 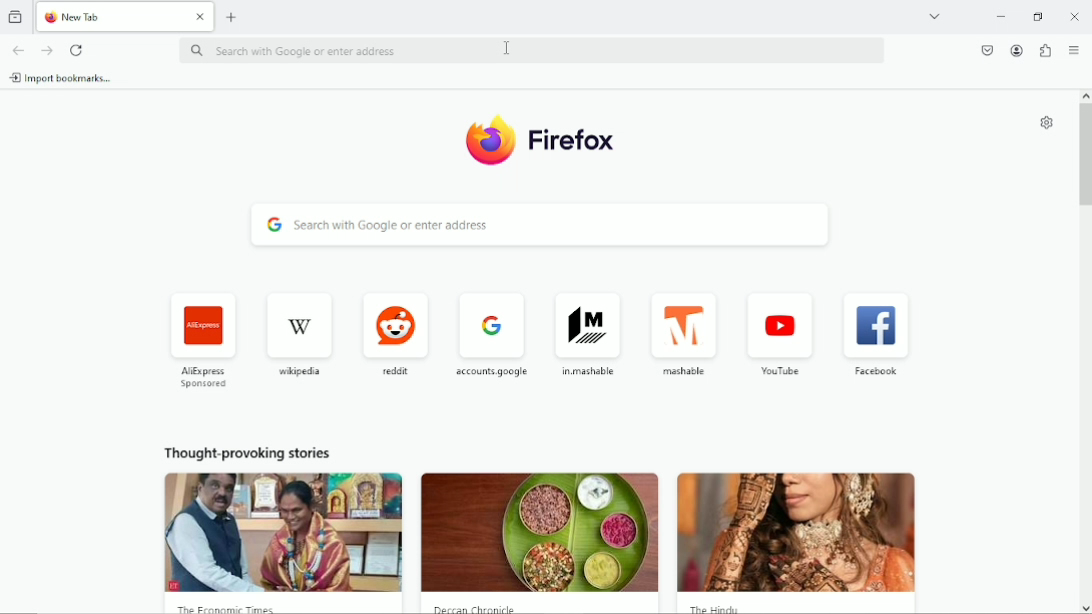 I want to click on you tube, so click(x=783, y=330).